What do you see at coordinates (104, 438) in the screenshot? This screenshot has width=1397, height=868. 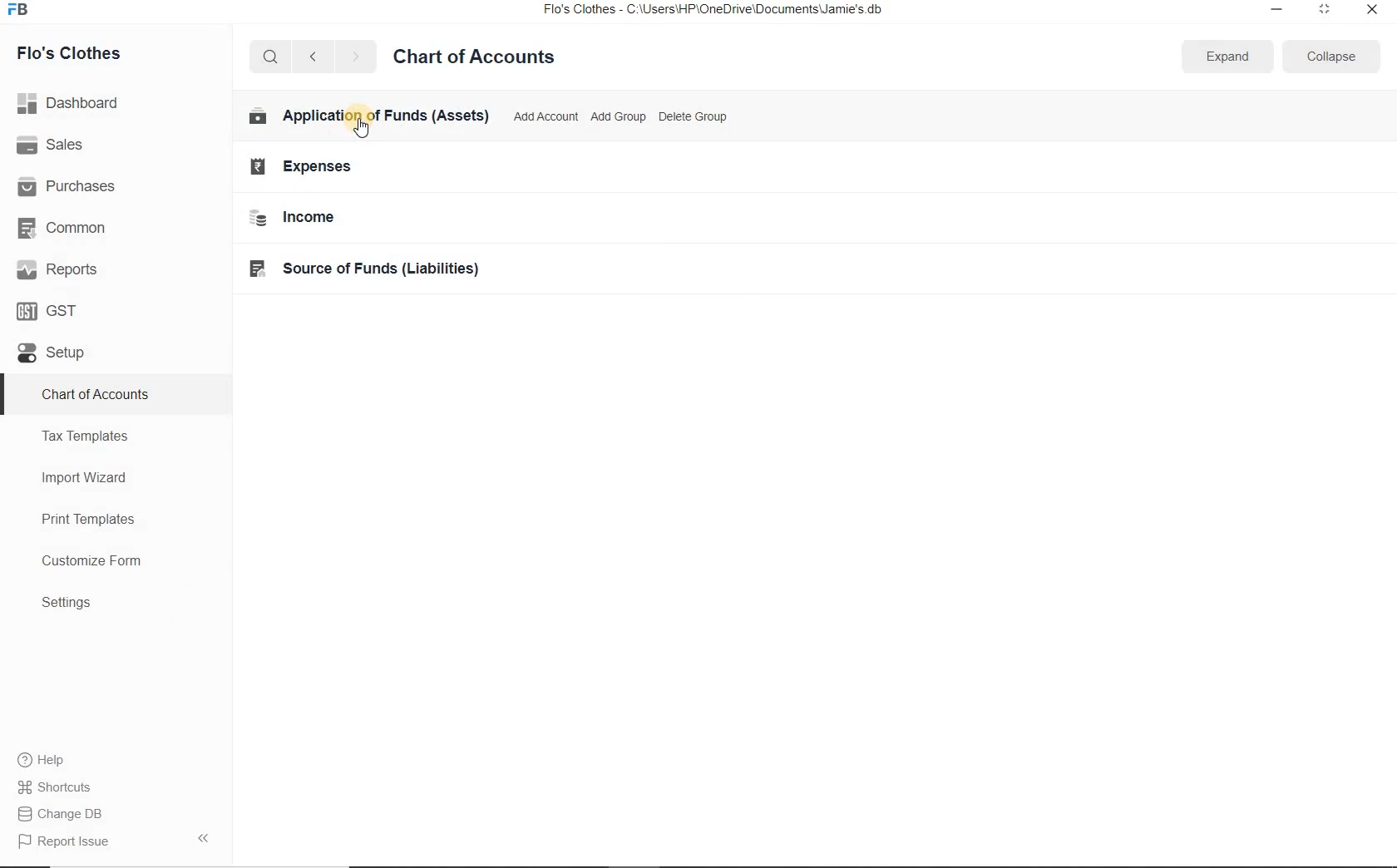 I see `Tax Templates` at bounding box center [104, 438].